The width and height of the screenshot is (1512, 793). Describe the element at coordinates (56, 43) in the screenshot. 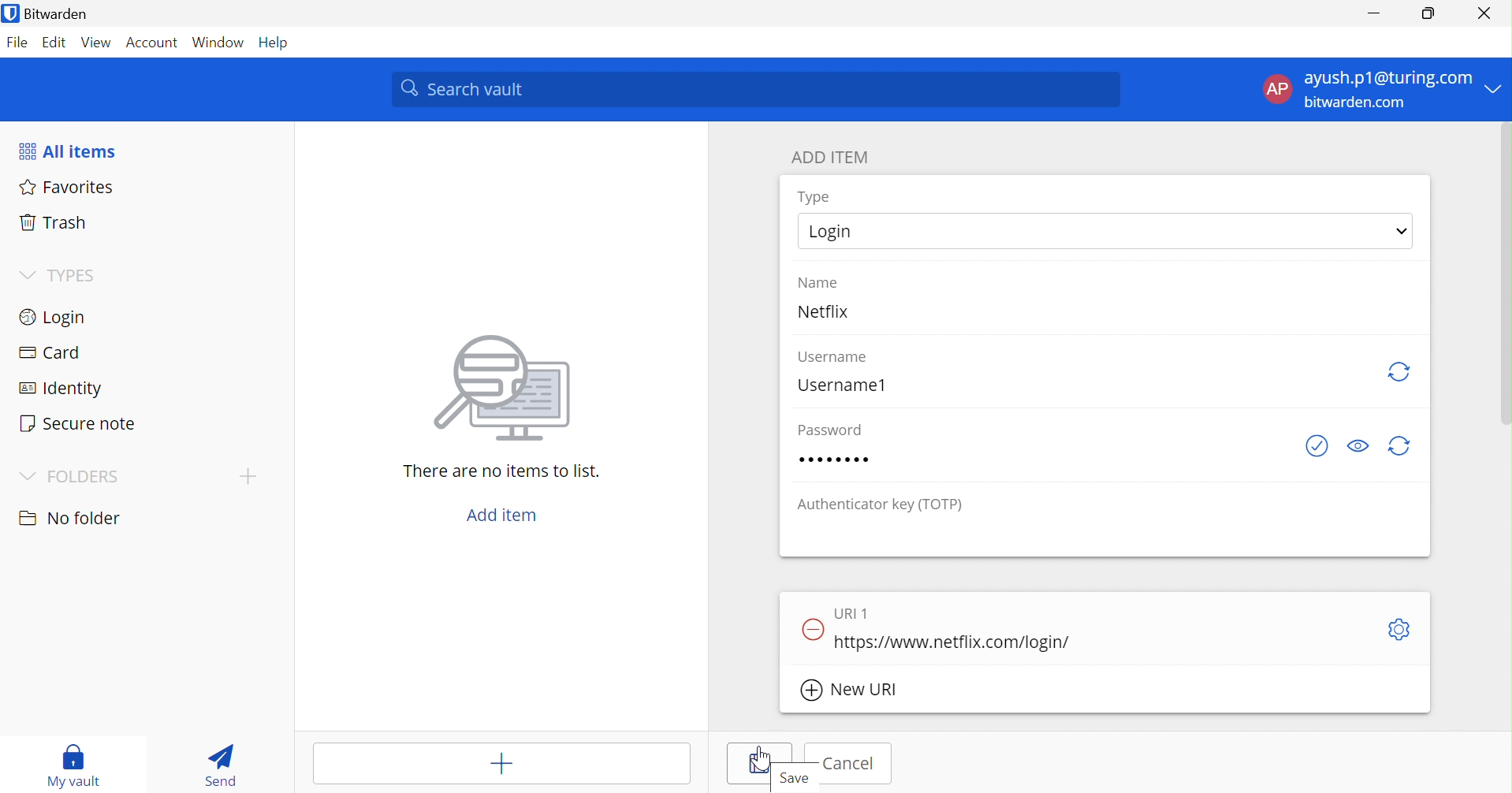

I see `Edit` at that location.